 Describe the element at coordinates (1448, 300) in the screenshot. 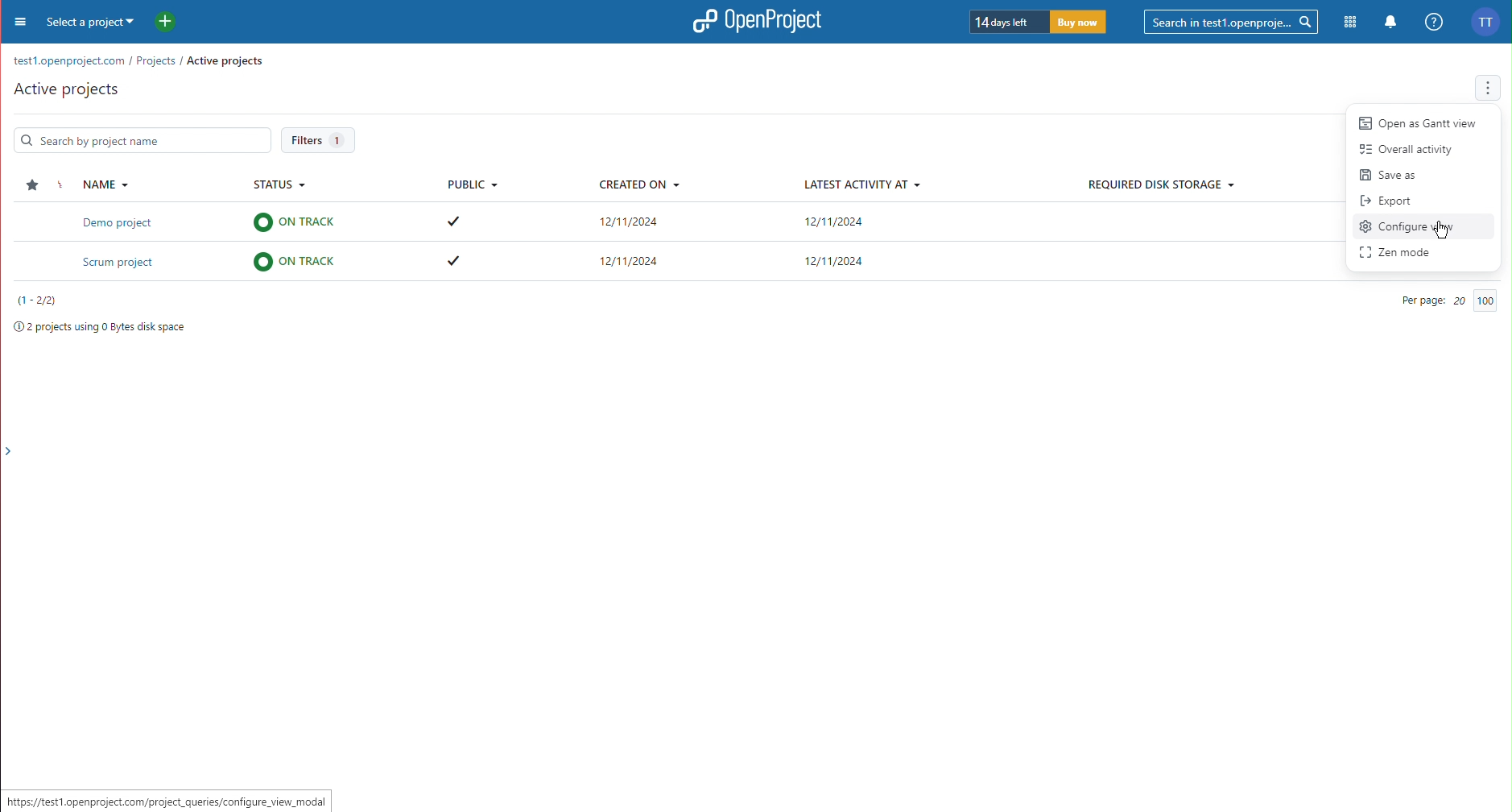

I see `Per Page` at that location.